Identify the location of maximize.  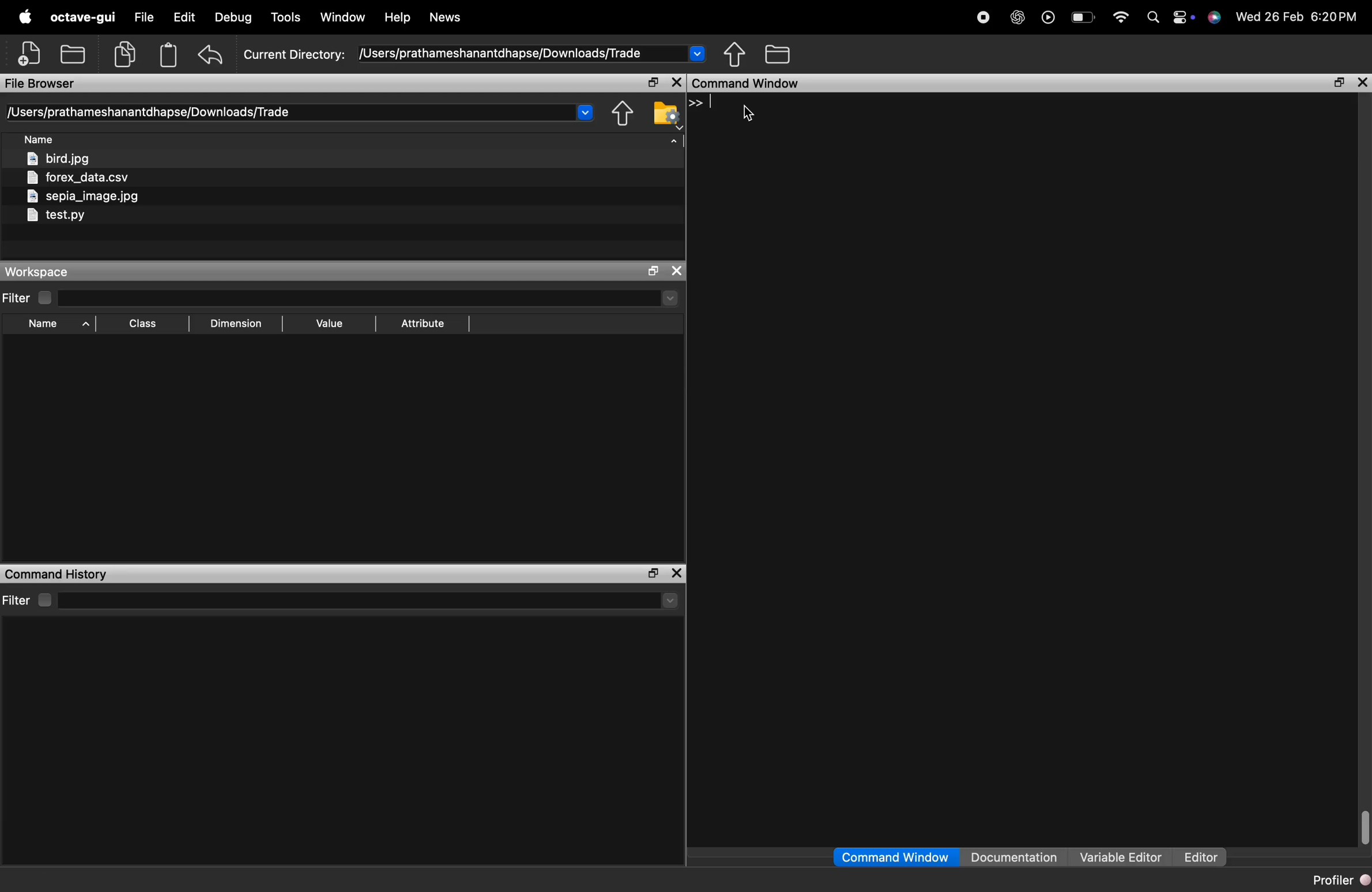
(1339, 82).